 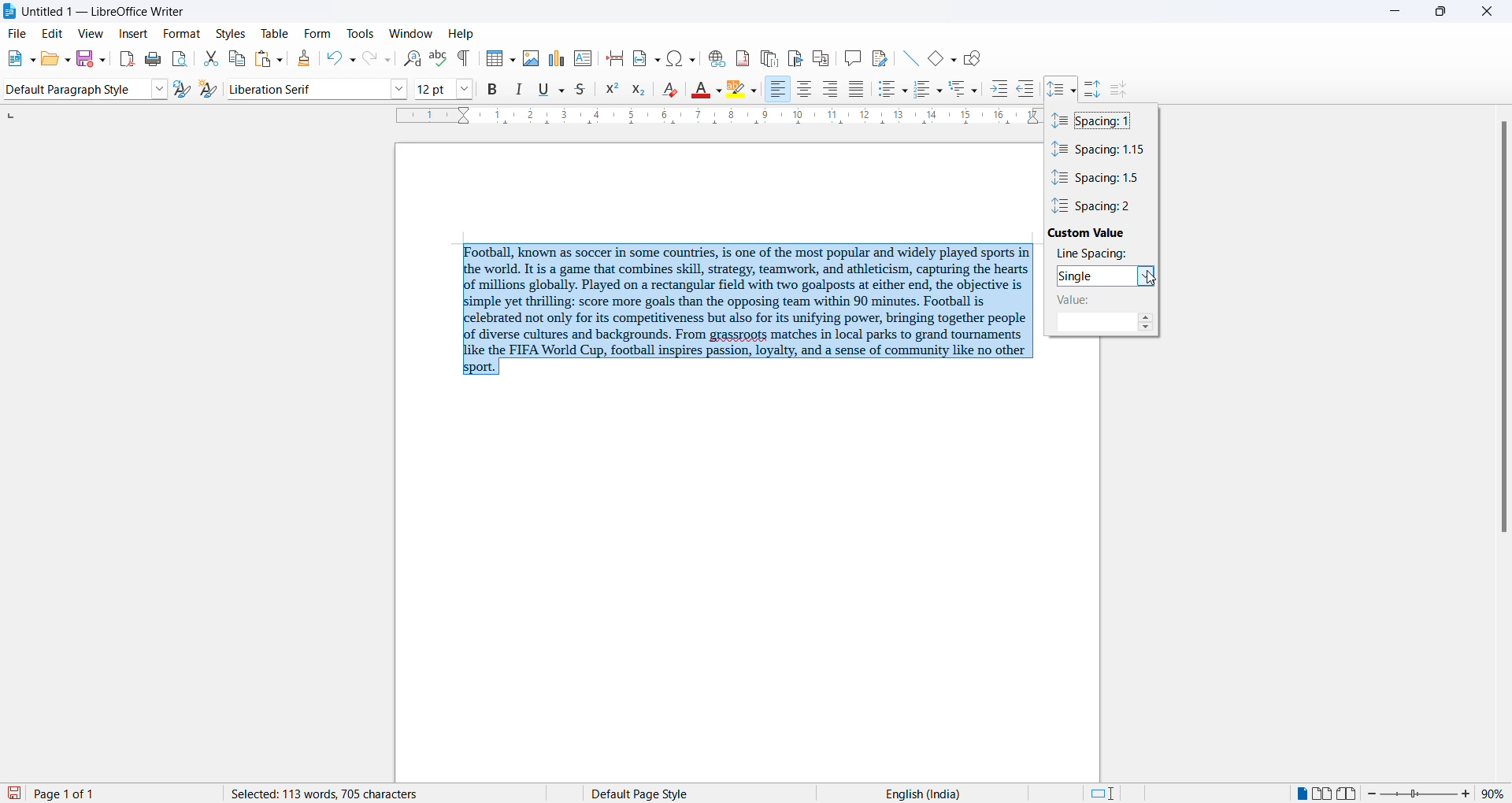 What do you see at coordinates (755, 91) in the screenshot?
I see `character highlighting options` at bounding box center [755, 91].